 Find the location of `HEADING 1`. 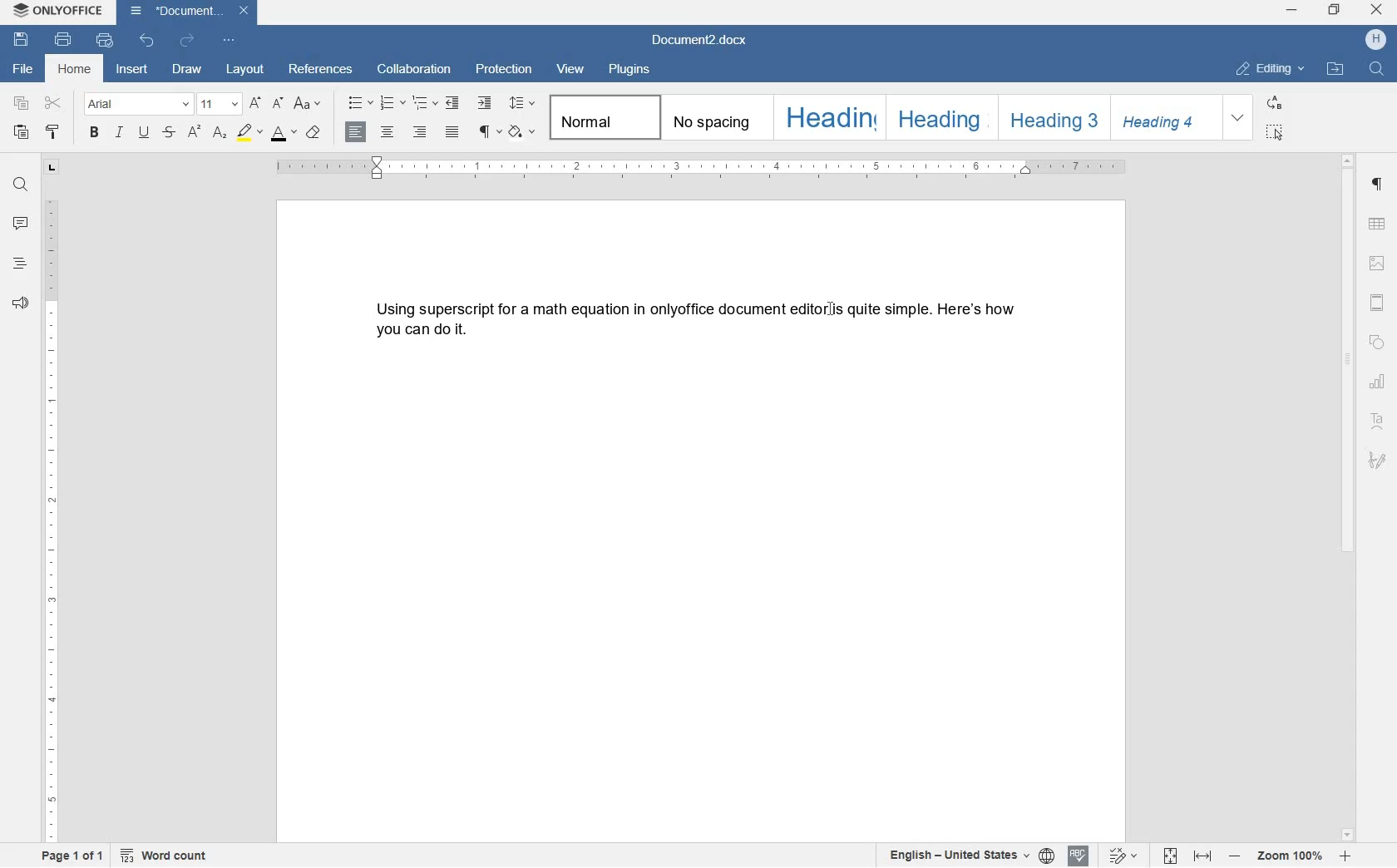

HEADING 1 is located at coordinates (827, 118).